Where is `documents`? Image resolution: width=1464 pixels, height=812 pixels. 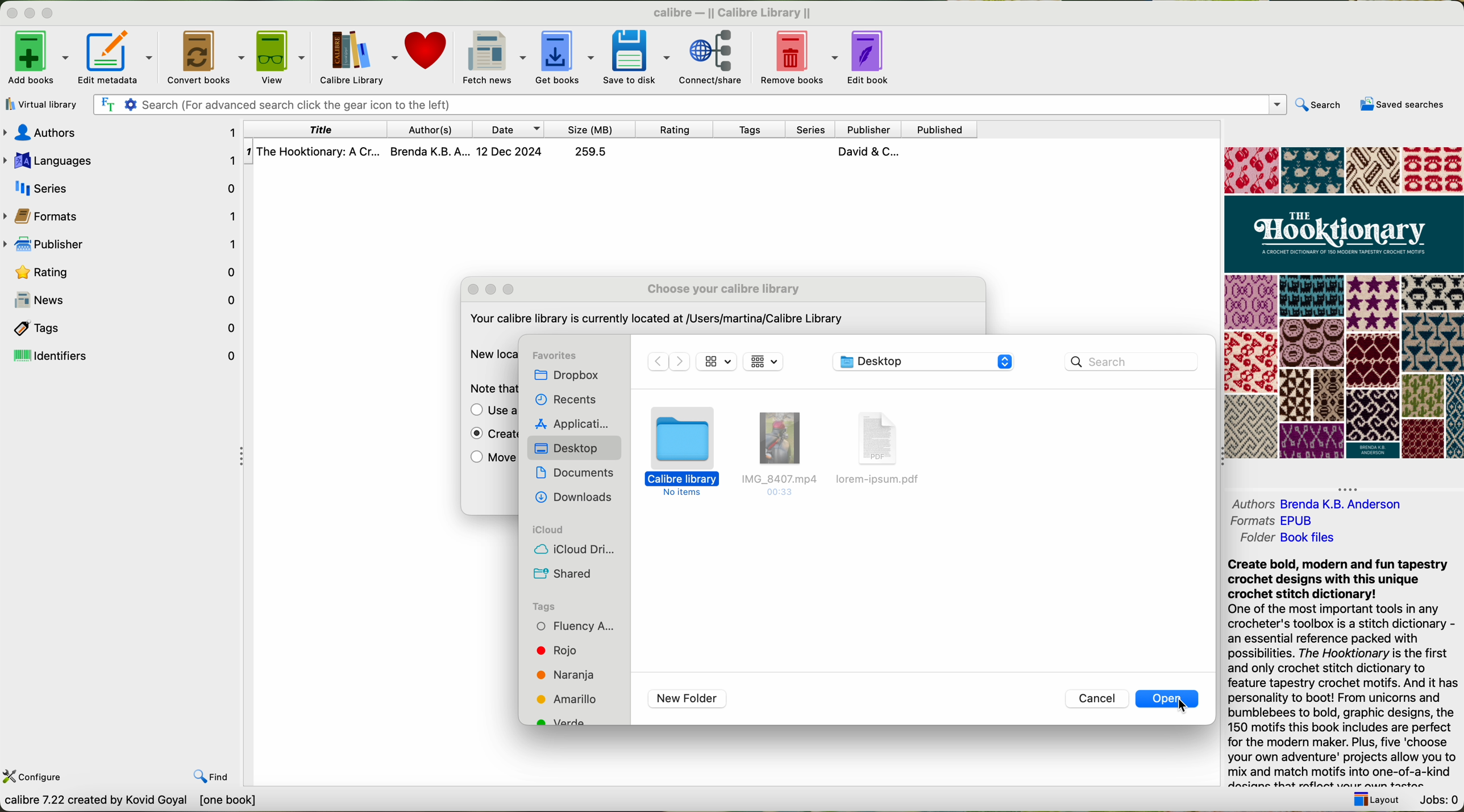
documents is located at coordinates (569, 474).